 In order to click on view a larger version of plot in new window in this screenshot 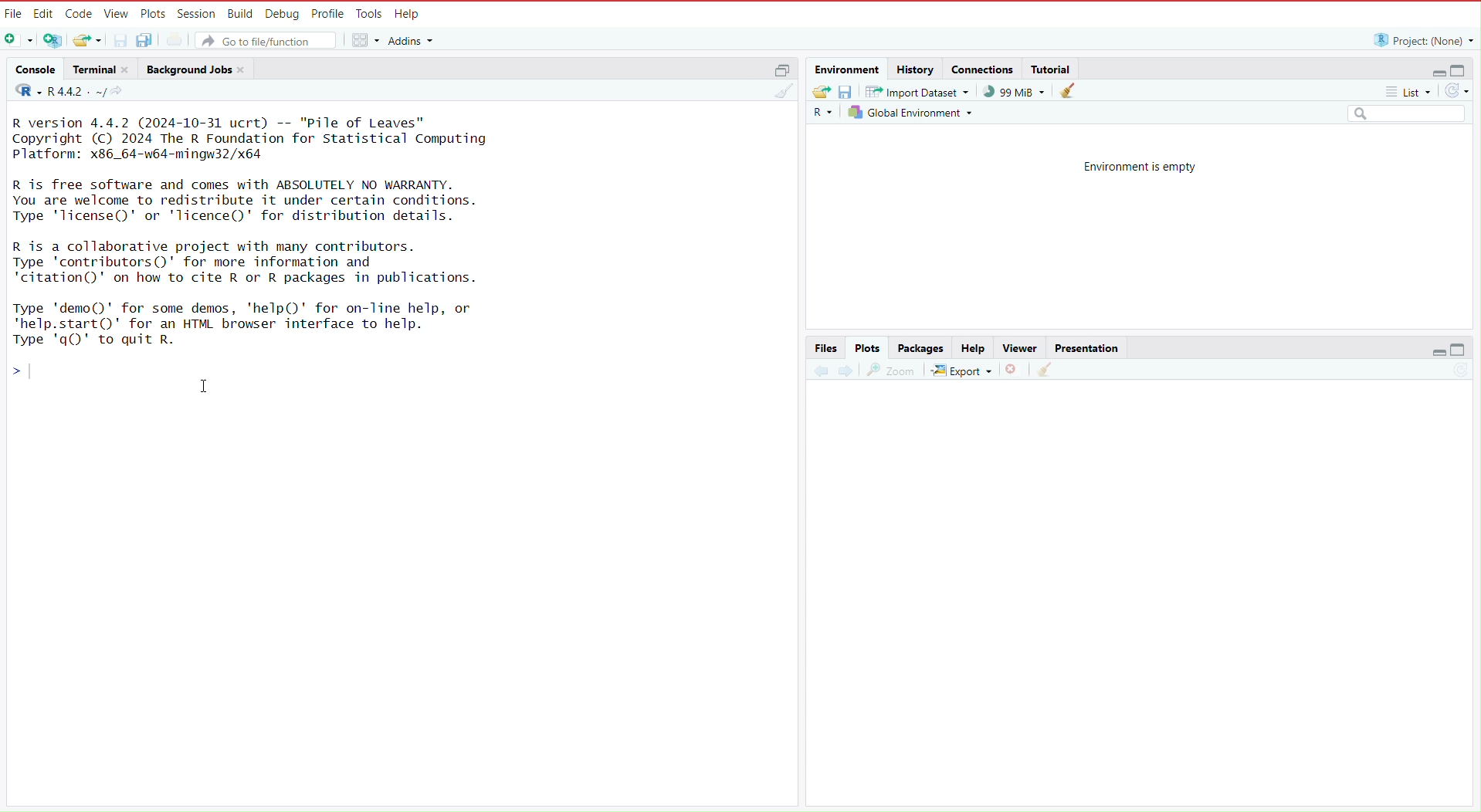, I will do `click(892, 370)`.